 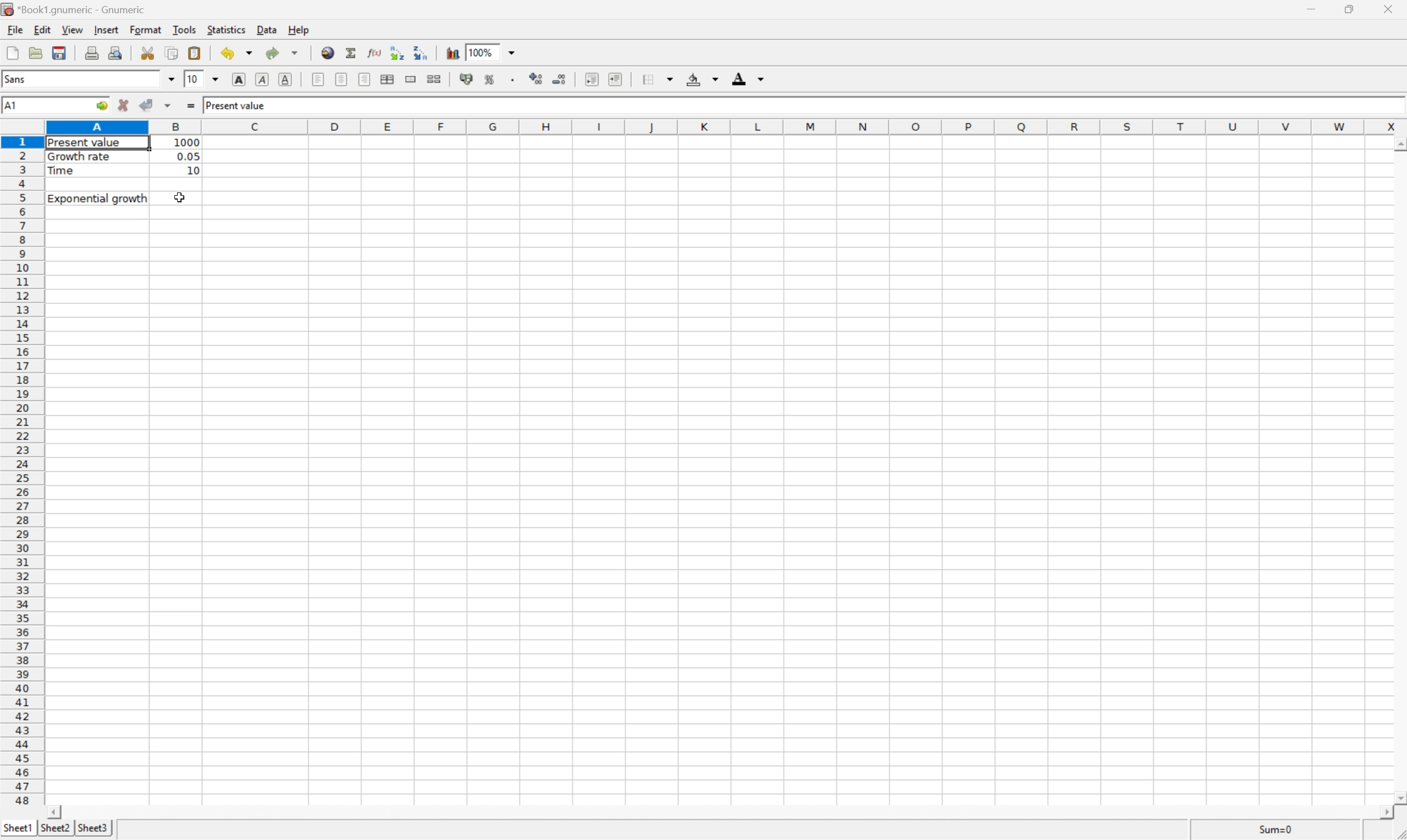 What do you see at coordinates (421, 53) in the screenshot?
I see `Increase indent, and align the contents to the left` at bounding box center [421, 53].